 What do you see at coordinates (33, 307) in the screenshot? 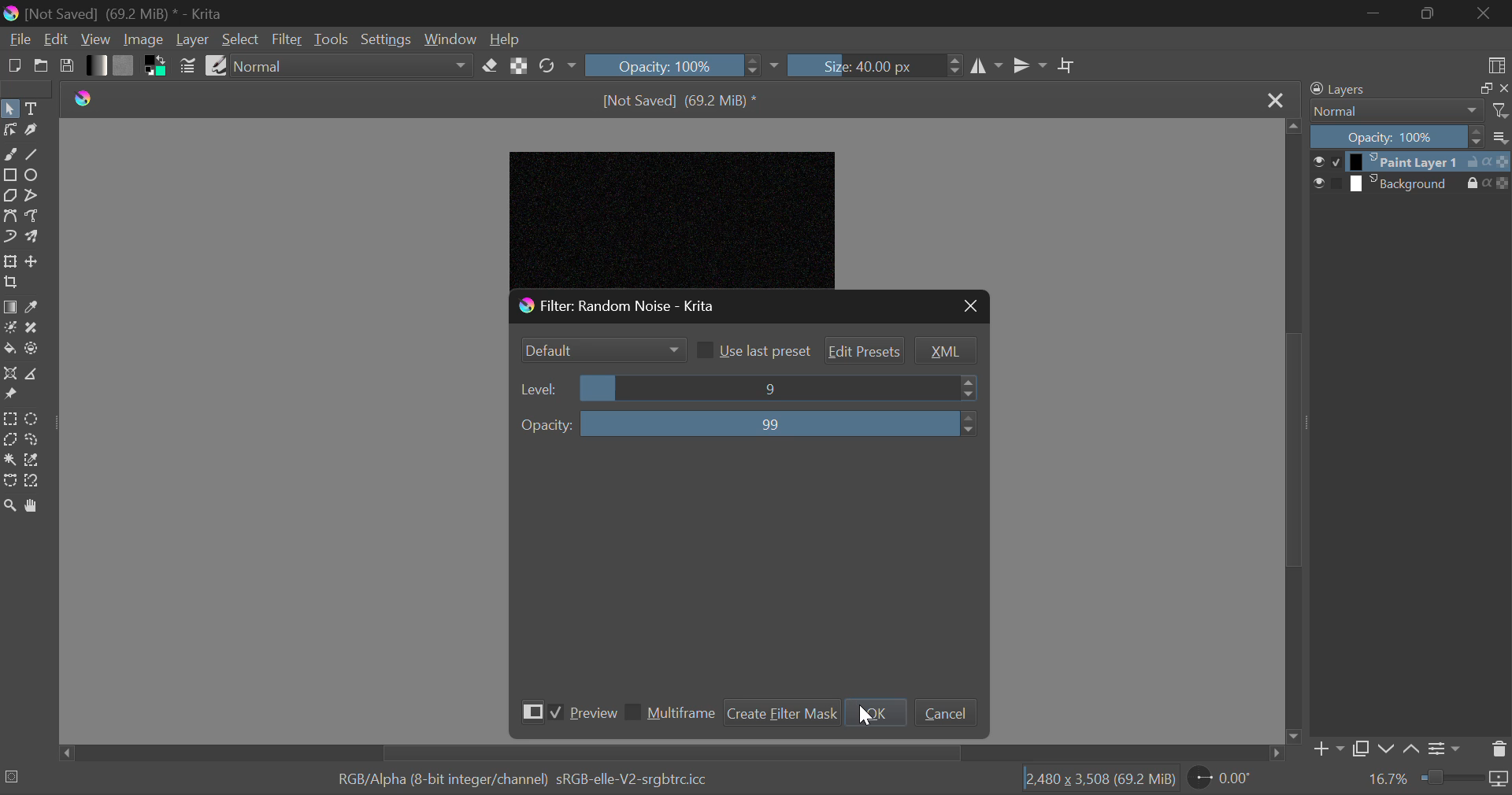
I see `Eyedropper` at bounding box center [33, 307].